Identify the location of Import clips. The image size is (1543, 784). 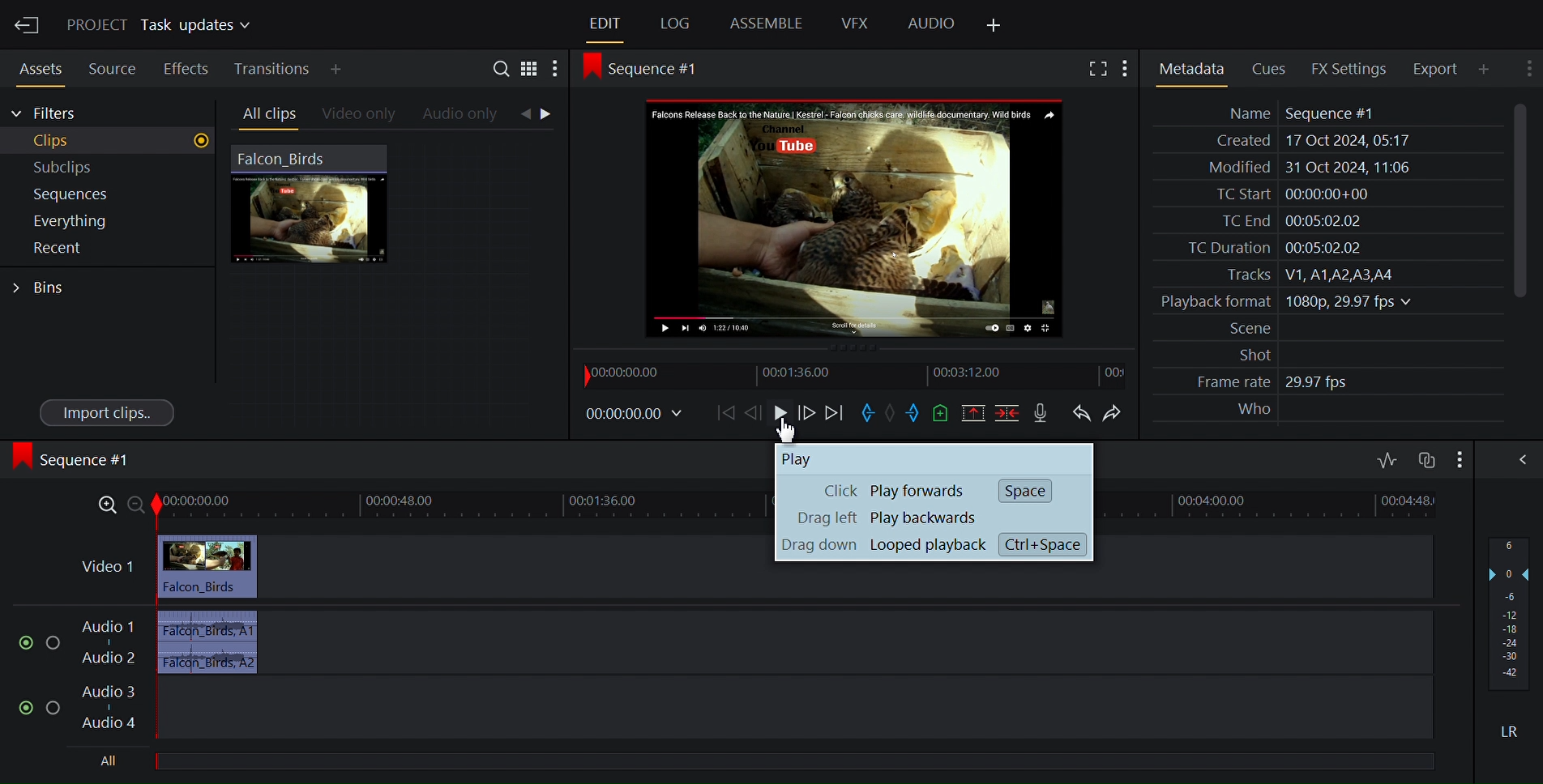
(105, 413).